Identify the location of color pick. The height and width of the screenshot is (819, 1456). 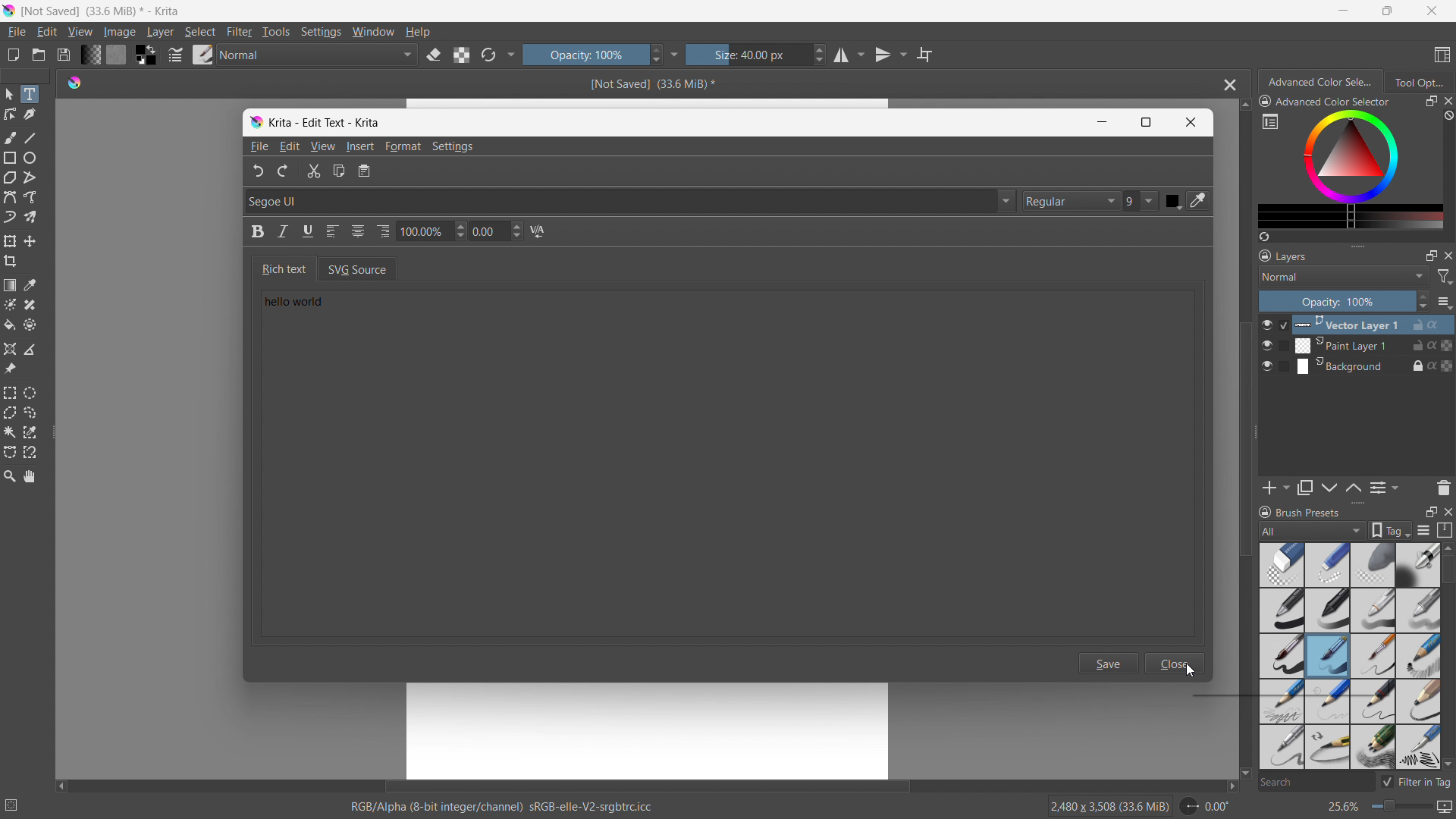
(1200, 201).